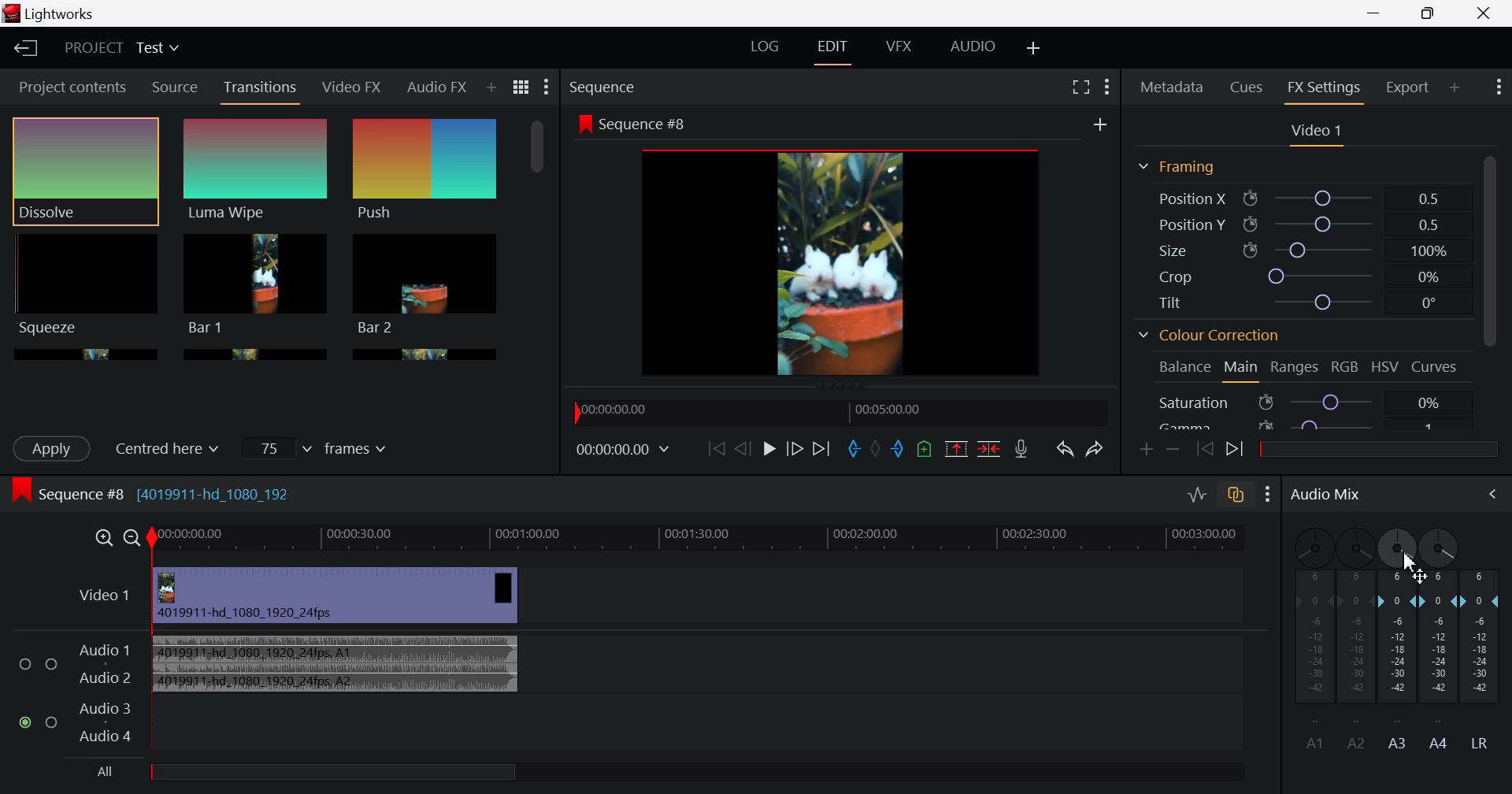  What do you see at coordinates (76, 13) in the screenshot?
I see `Lightworks` at bounding box center [76, 13].